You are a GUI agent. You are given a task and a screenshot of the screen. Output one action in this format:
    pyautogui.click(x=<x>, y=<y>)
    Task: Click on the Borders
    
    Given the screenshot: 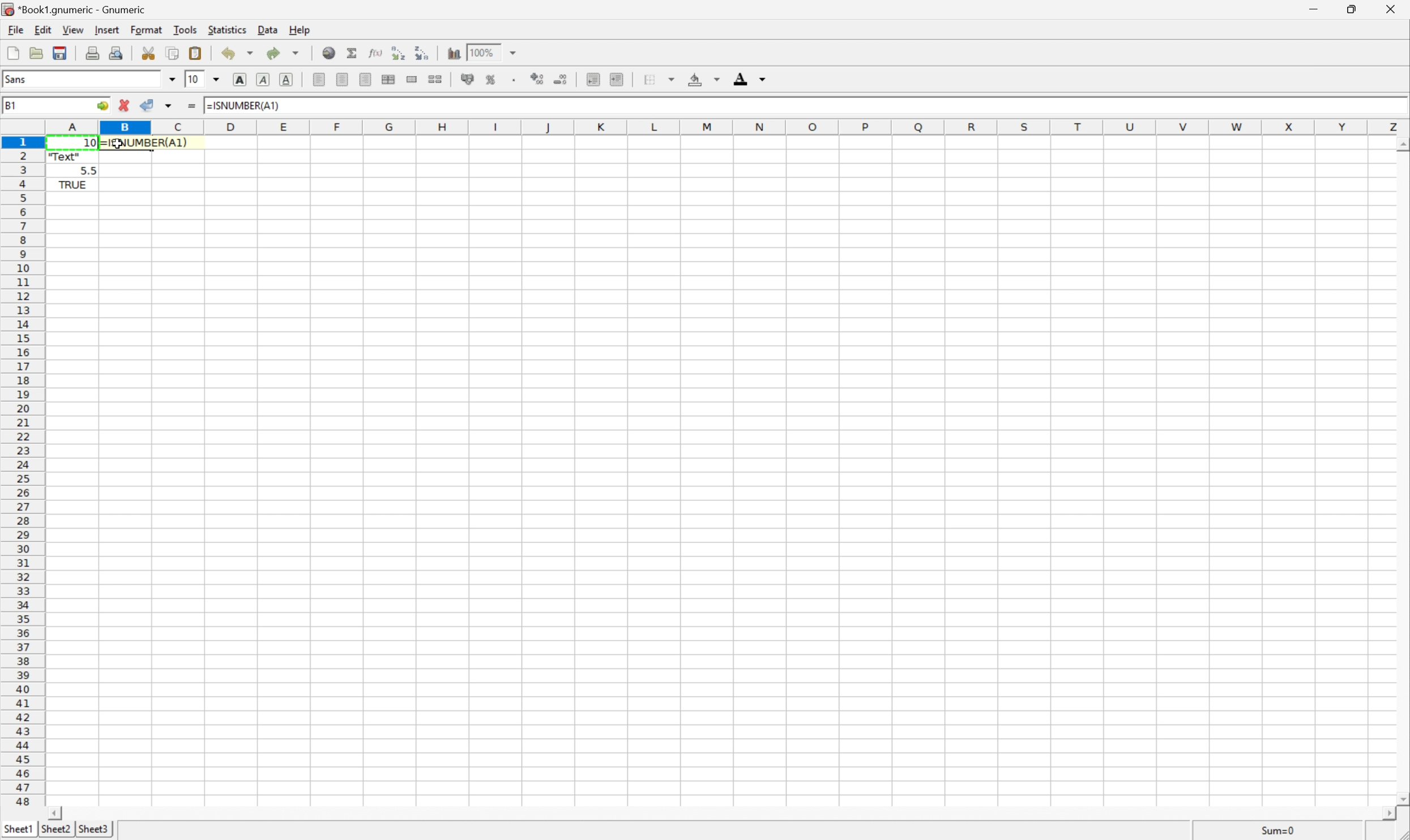 What is the action you would take?
    pyautogui.click(x=659, y=79)
    